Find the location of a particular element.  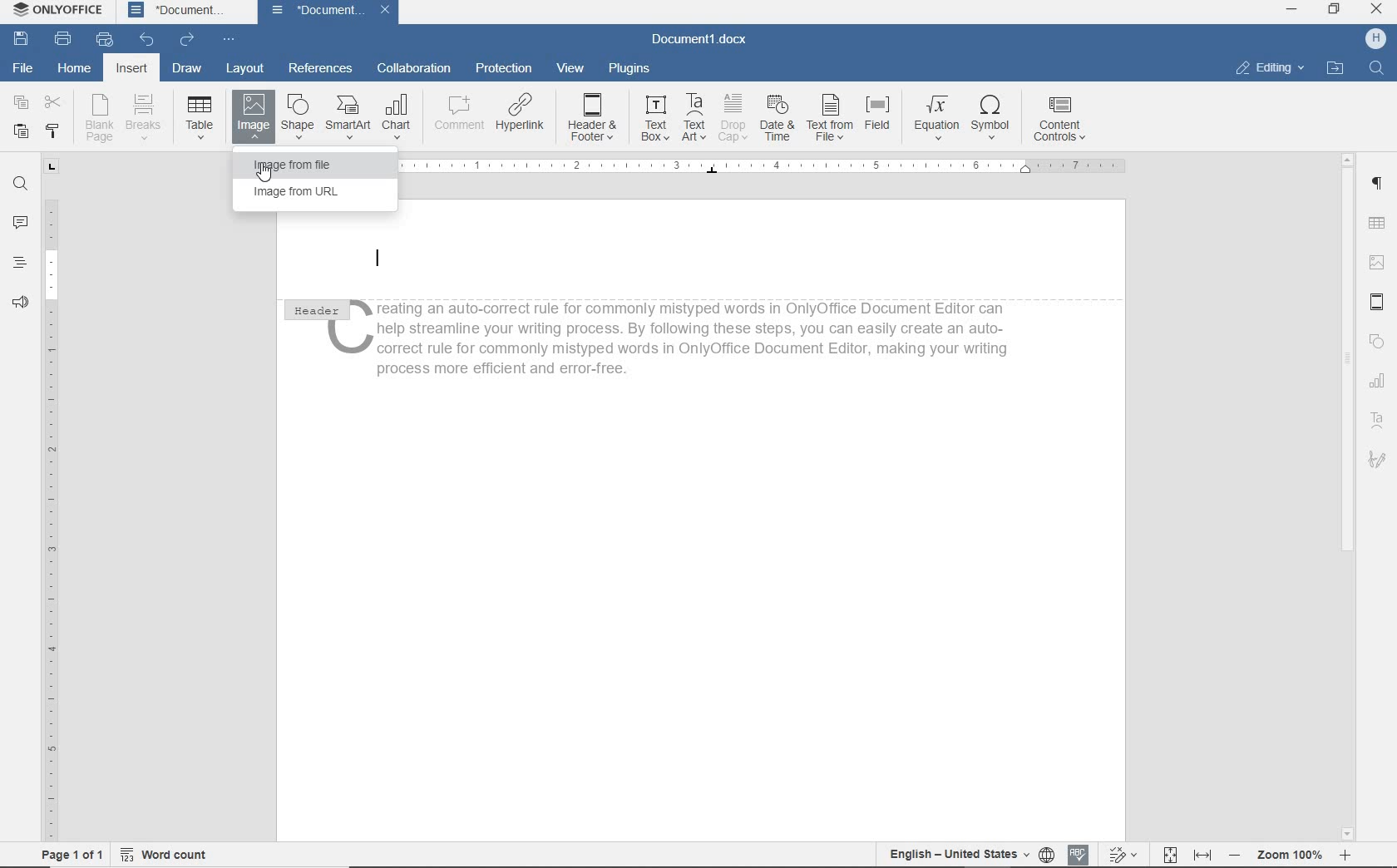

Track changes is located at coordinates (1122, 854).